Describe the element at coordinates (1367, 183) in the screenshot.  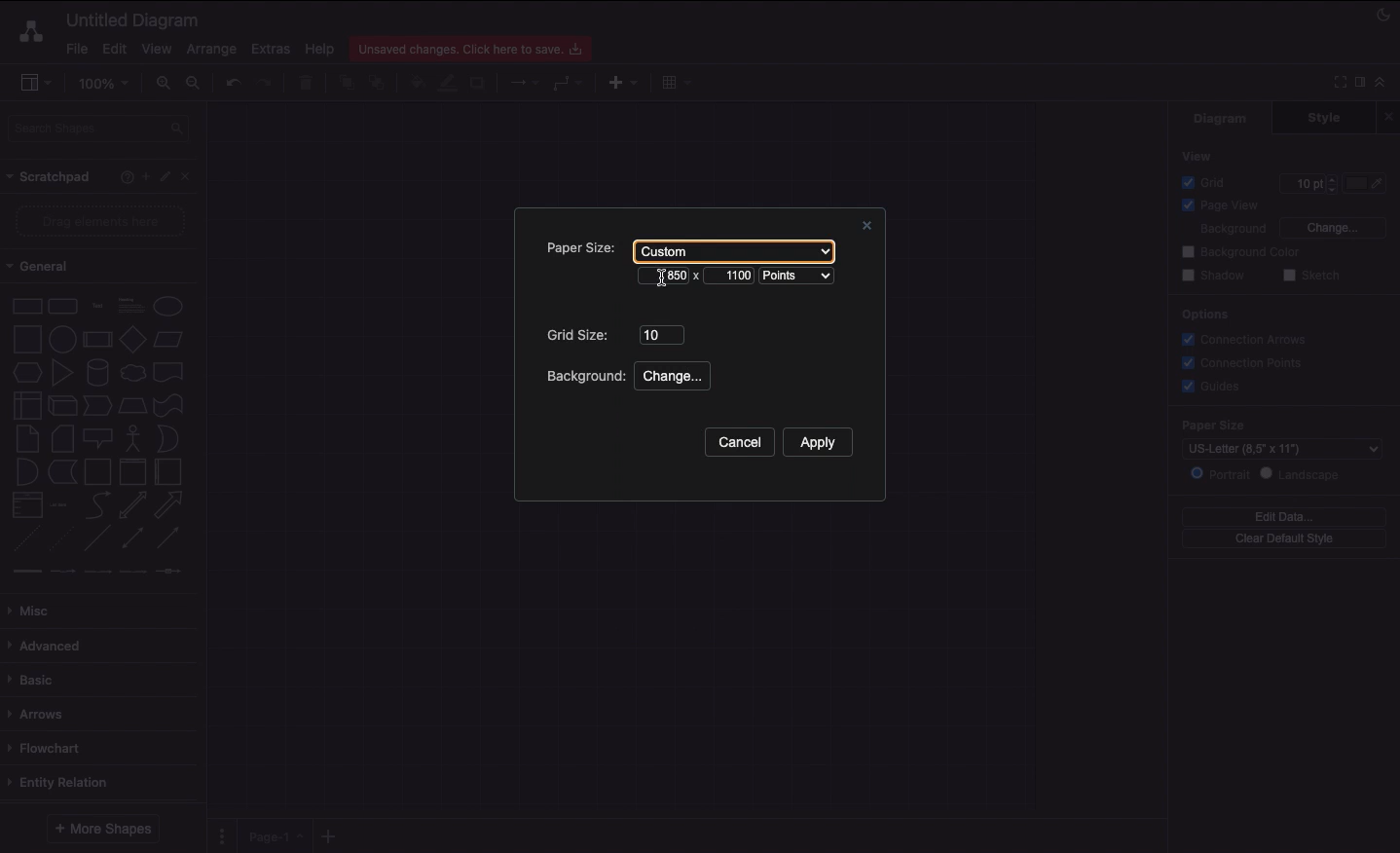
I see `Color` at that location.